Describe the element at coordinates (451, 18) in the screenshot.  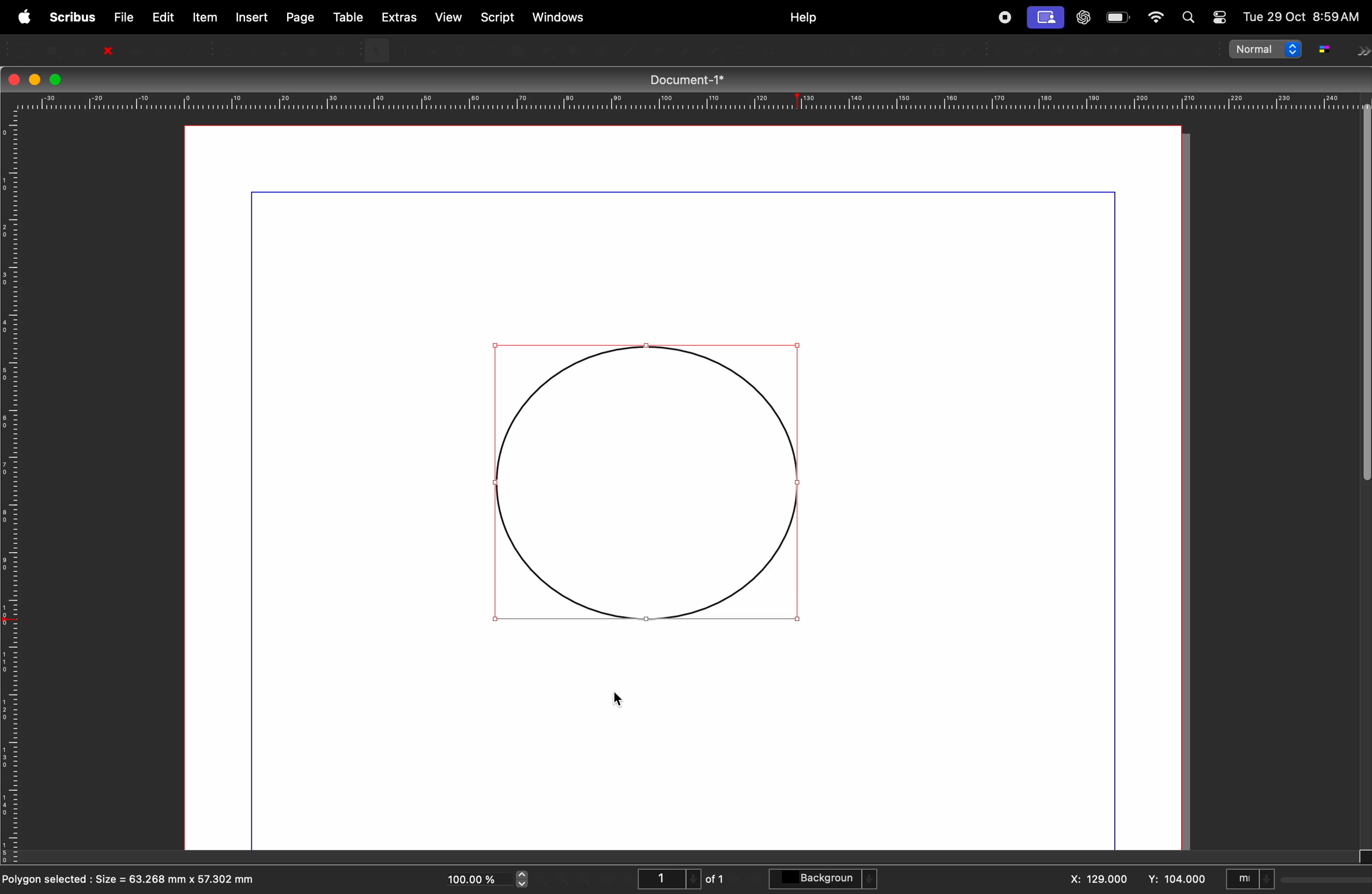
I see `view` at that location.